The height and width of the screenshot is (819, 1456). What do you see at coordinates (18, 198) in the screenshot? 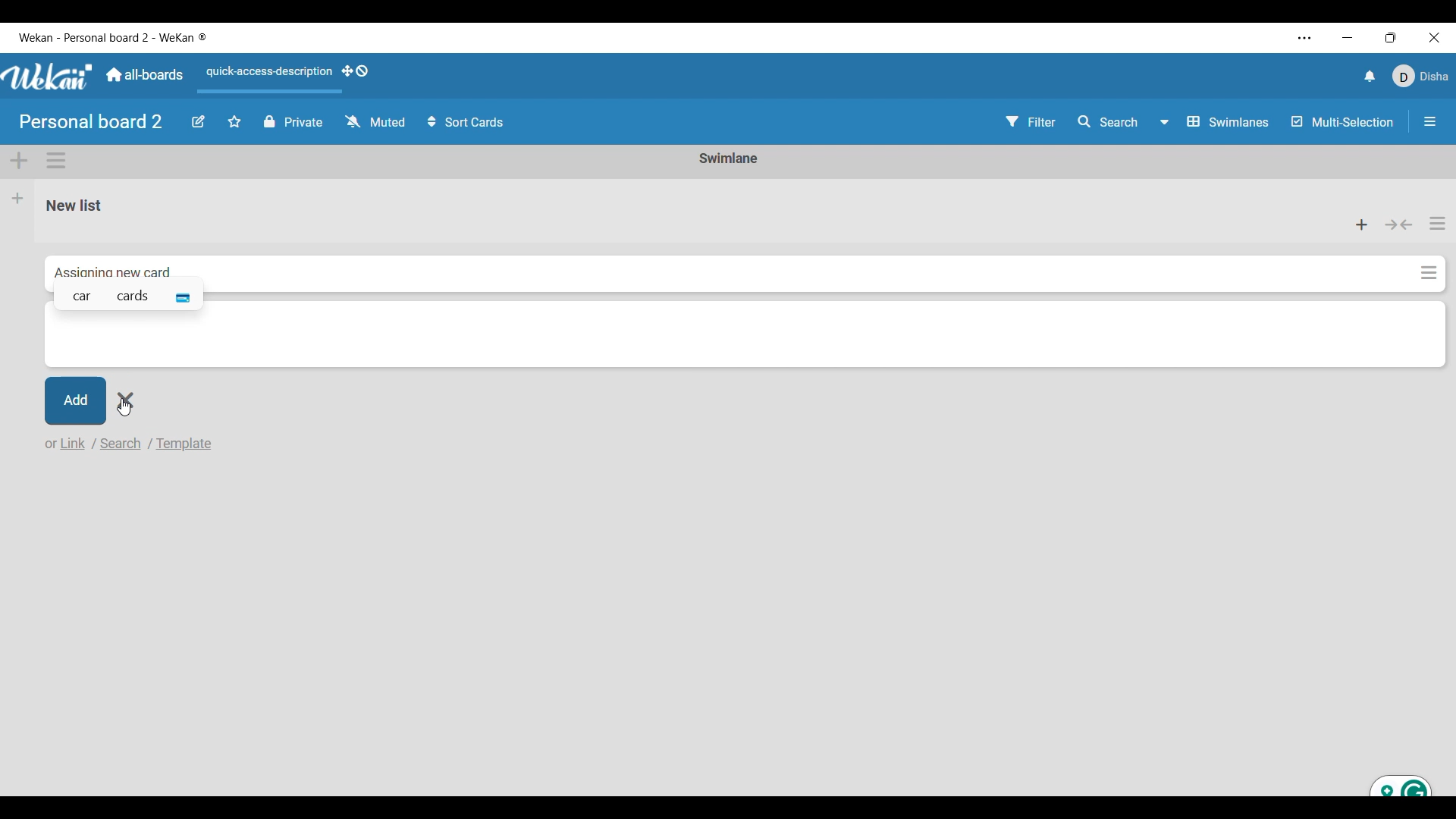
I see `Add list` at bounding box center [18, 198].